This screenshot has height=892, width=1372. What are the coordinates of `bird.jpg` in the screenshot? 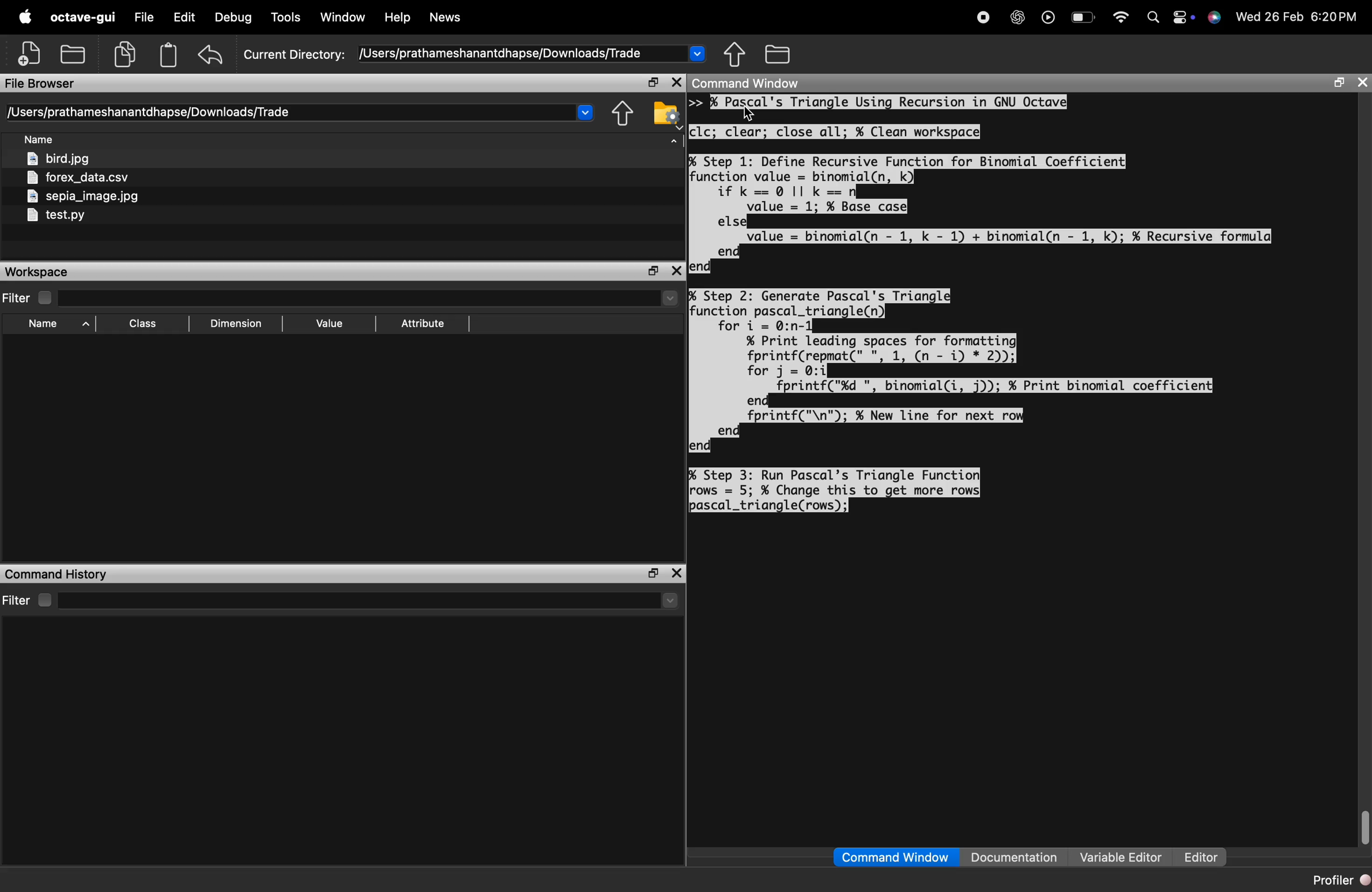 It's located at (61, 159).